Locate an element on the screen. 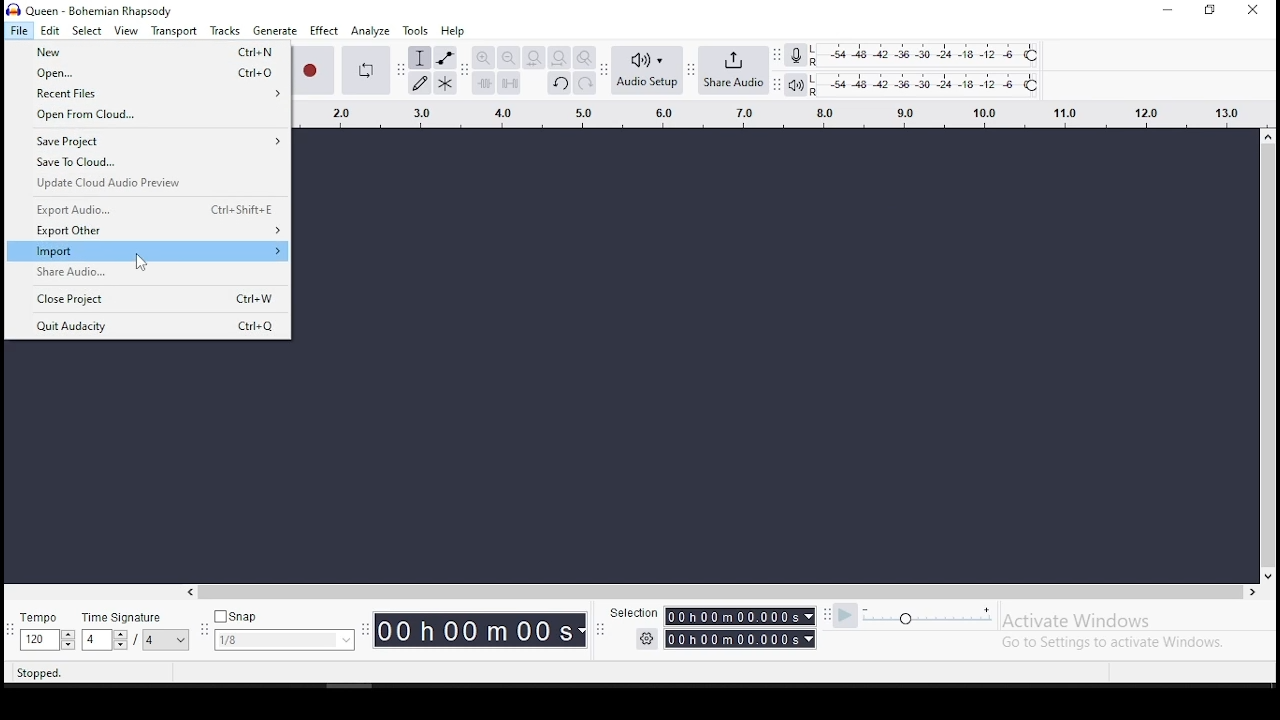 The image size is (1280, 720). export other is located at coordinates (148, 232).